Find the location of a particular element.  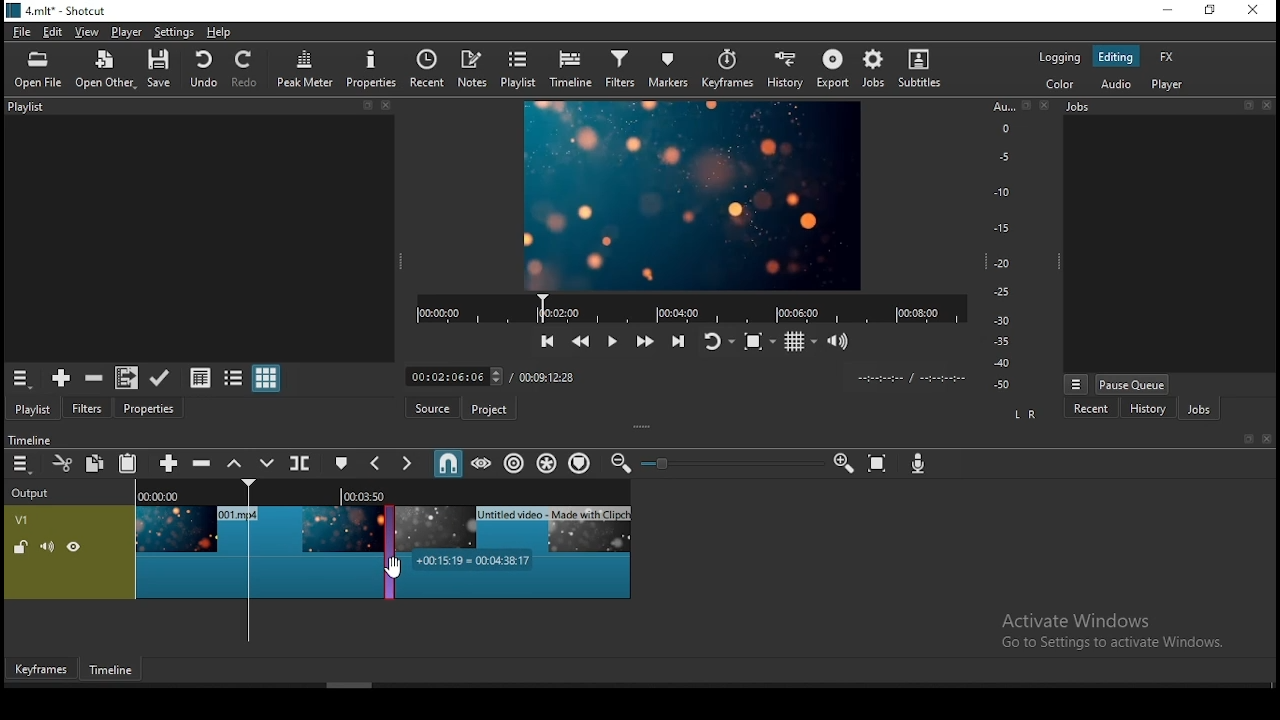

help is located at coordinates (219, 33).